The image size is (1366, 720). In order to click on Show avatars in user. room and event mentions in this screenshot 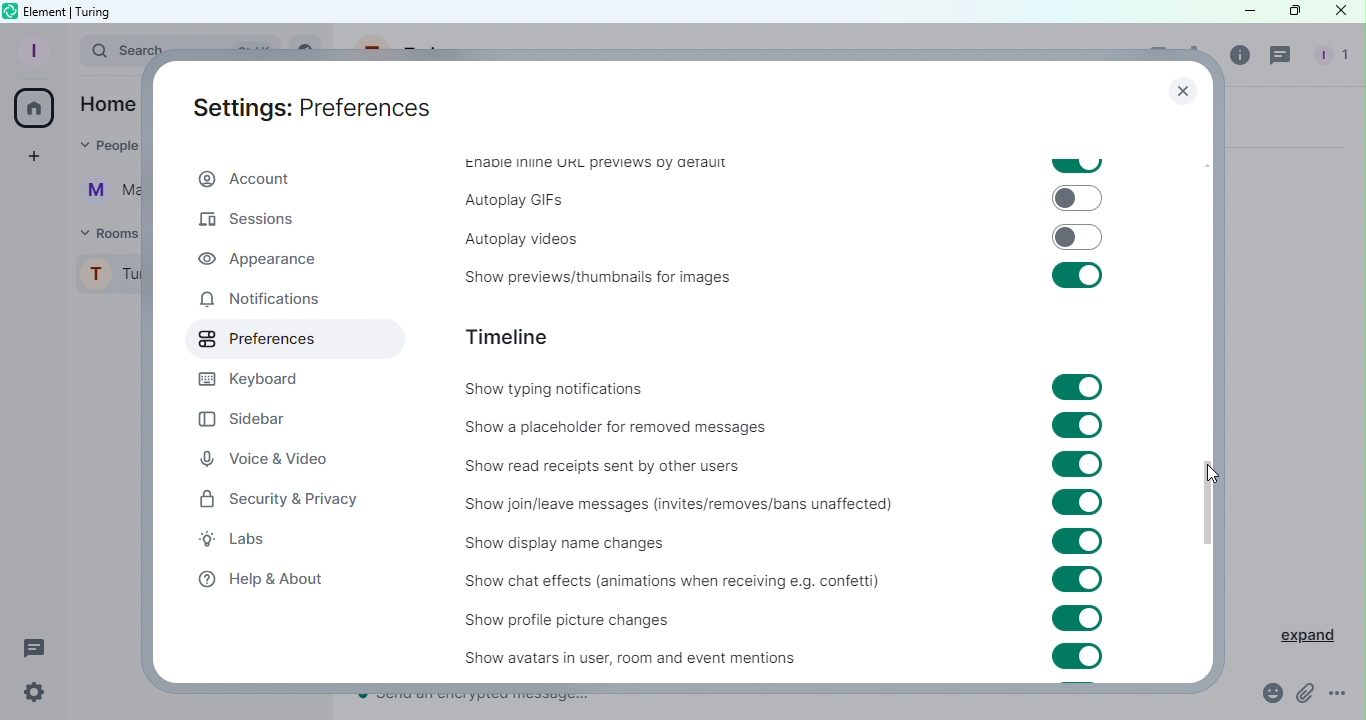, I will do `click(606, 657)`.